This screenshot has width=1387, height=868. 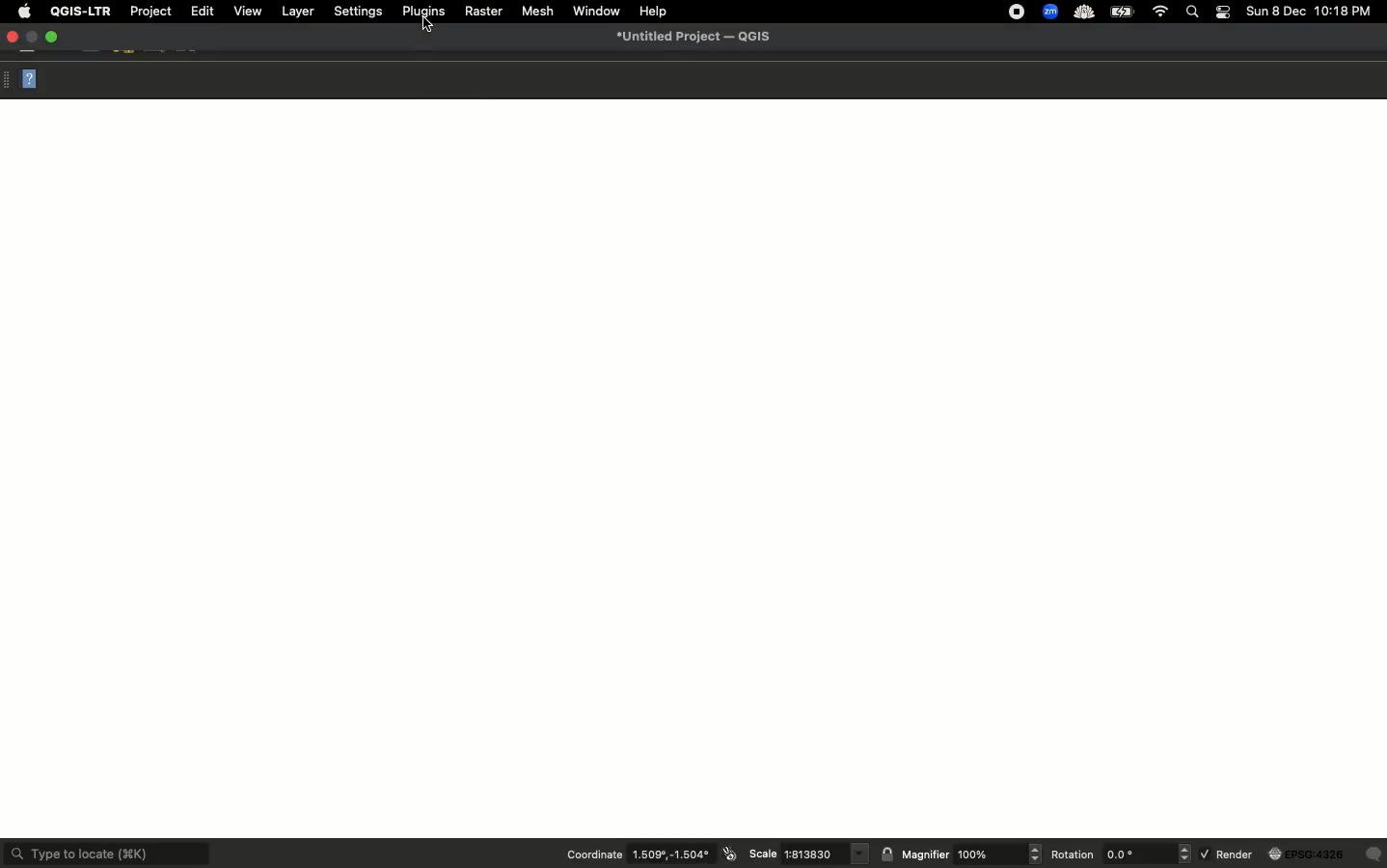 I want to click on Scale, so click(x=805, y=854).